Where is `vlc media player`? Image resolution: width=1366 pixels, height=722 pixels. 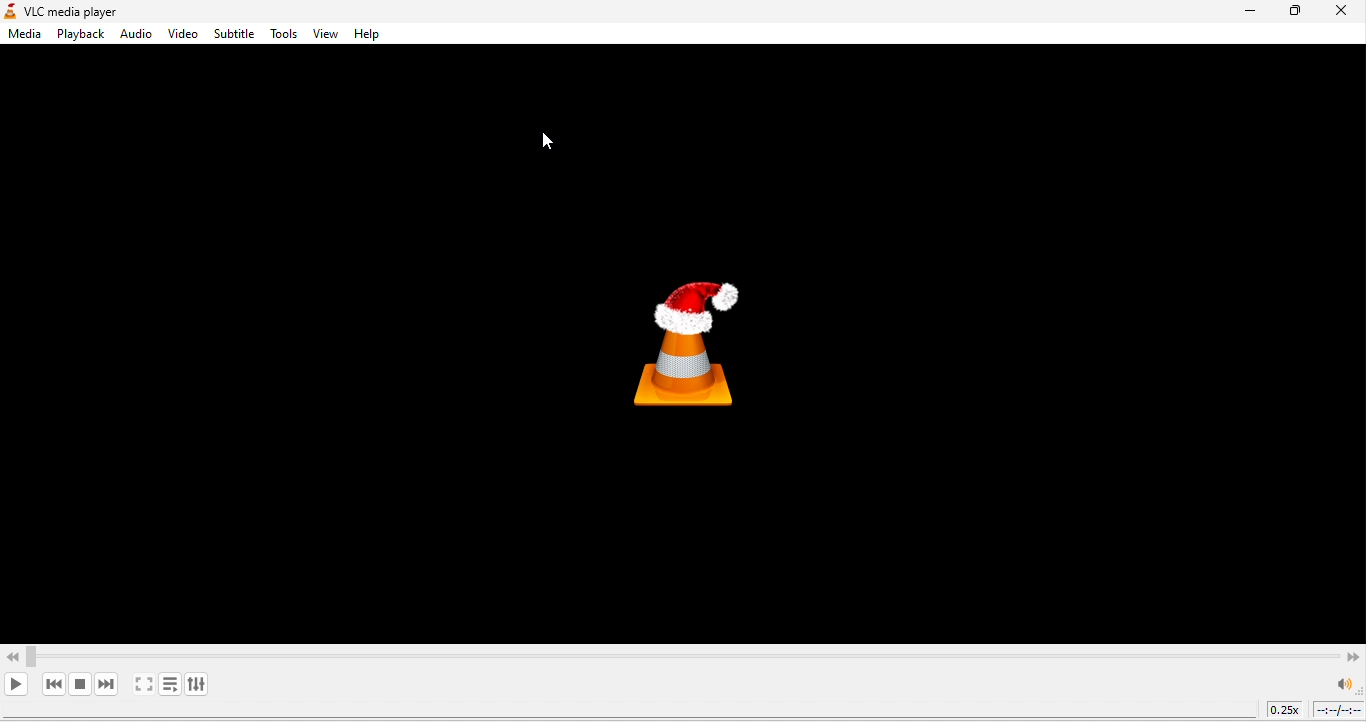 vlc media player is located at coordinates (96, 10).